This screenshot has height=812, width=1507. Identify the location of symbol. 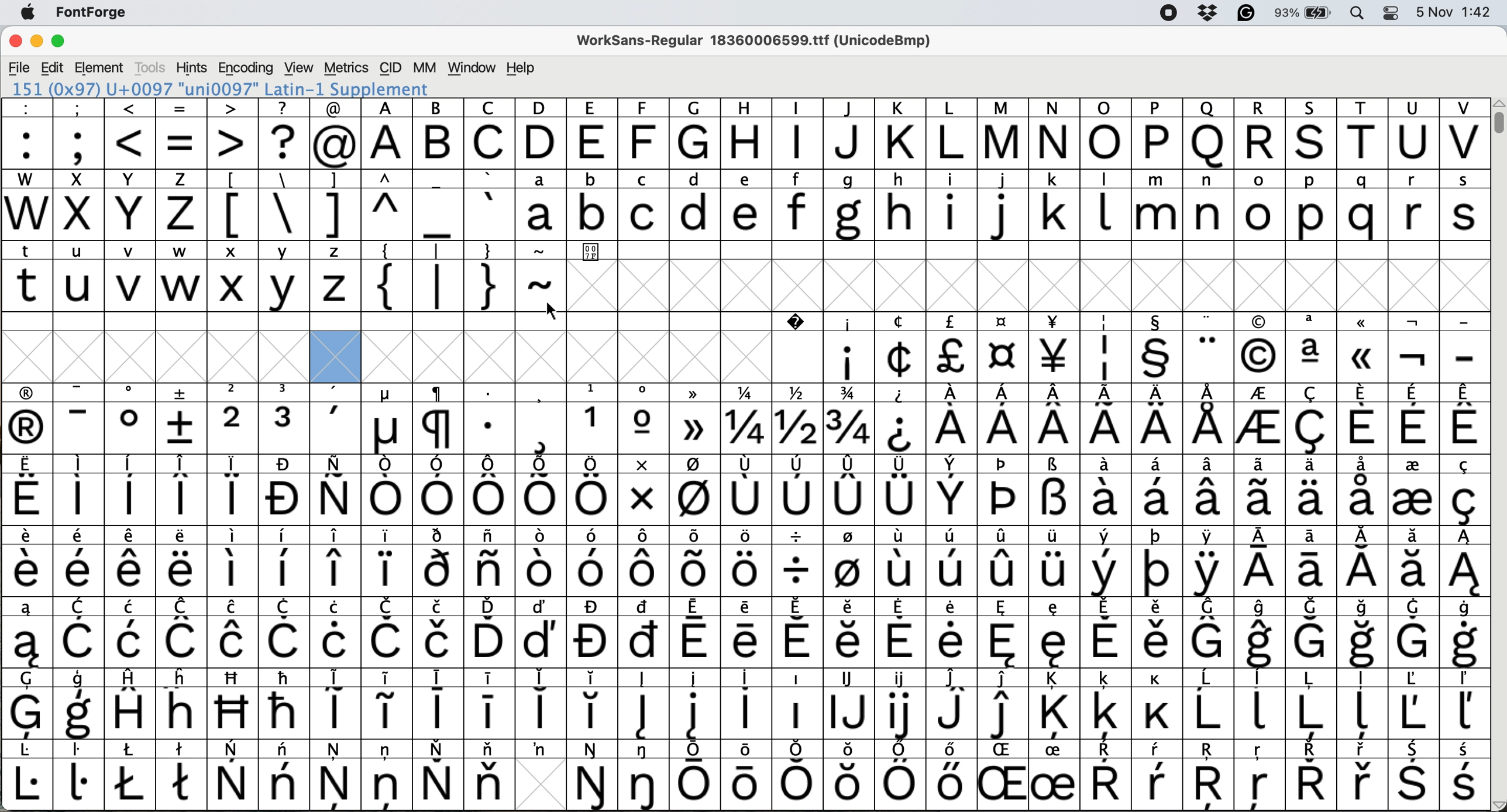
(849, 419).